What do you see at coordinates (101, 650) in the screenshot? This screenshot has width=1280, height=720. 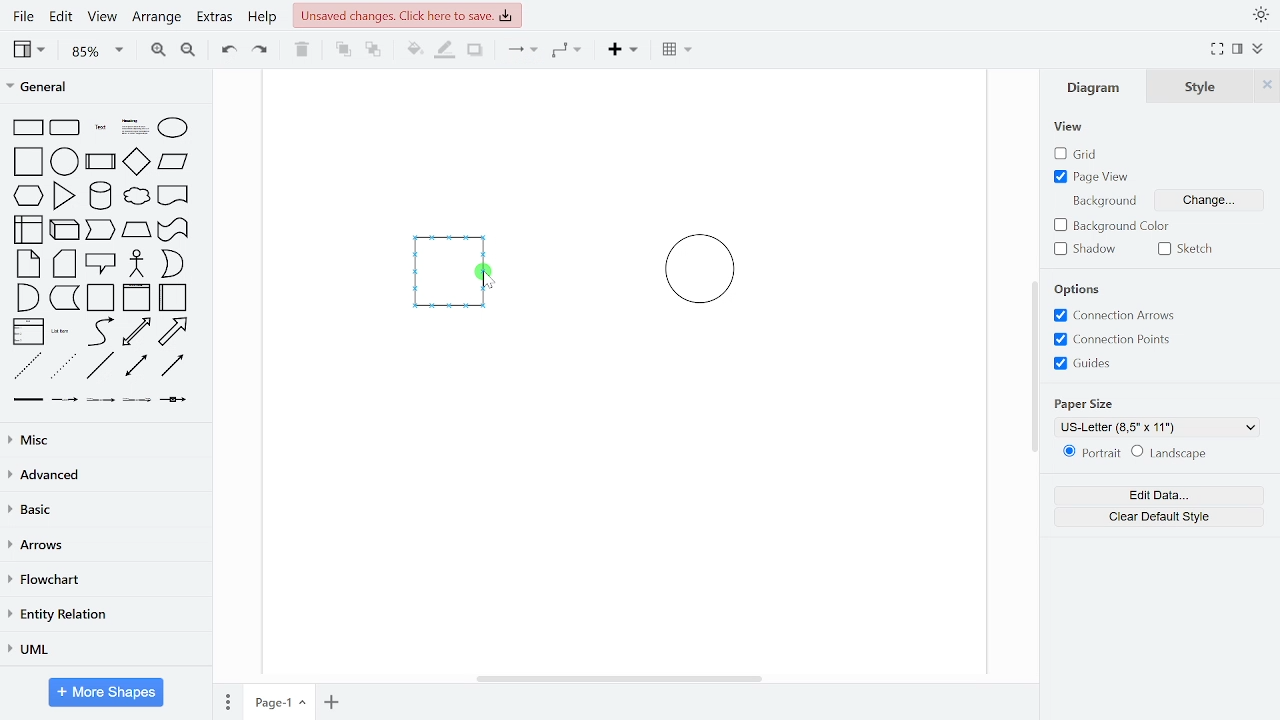 I see `UML` at bounding box center [101, 650].